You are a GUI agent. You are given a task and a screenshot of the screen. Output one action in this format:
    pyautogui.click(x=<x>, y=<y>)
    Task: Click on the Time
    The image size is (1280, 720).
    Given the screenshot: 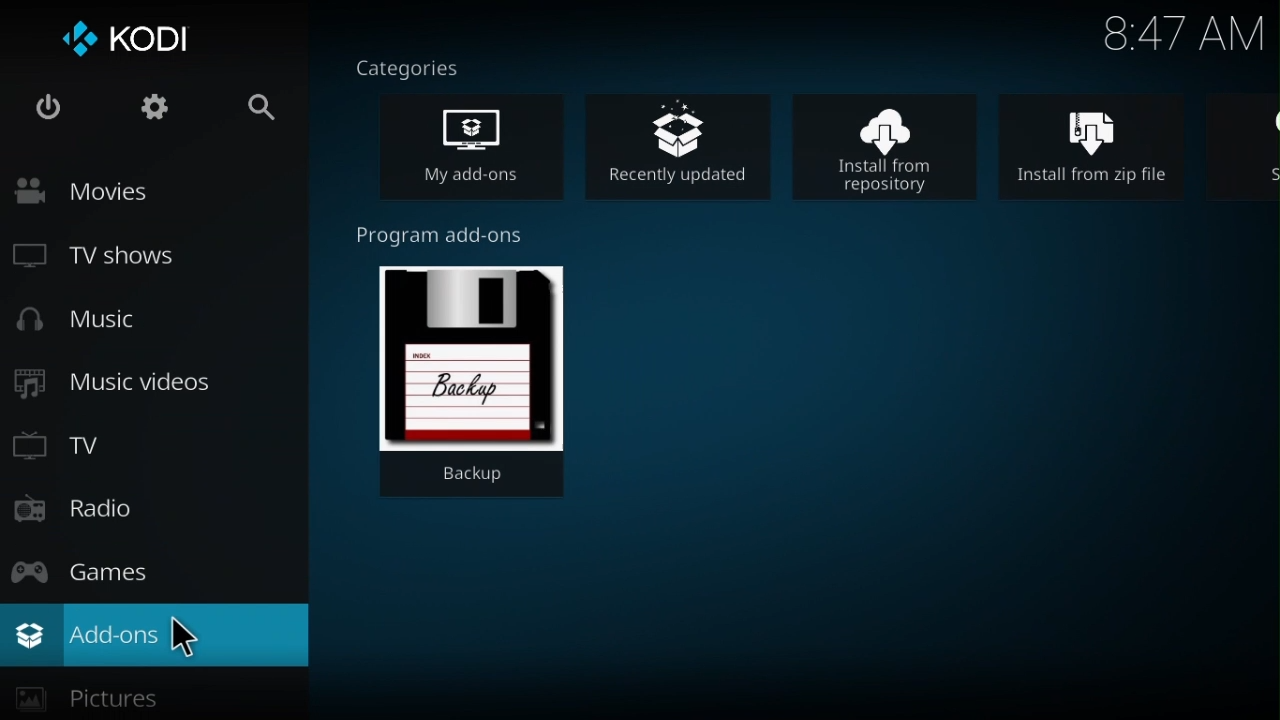 What is the action you would take?
    pyautogui.click(x=1183, y=36)
    